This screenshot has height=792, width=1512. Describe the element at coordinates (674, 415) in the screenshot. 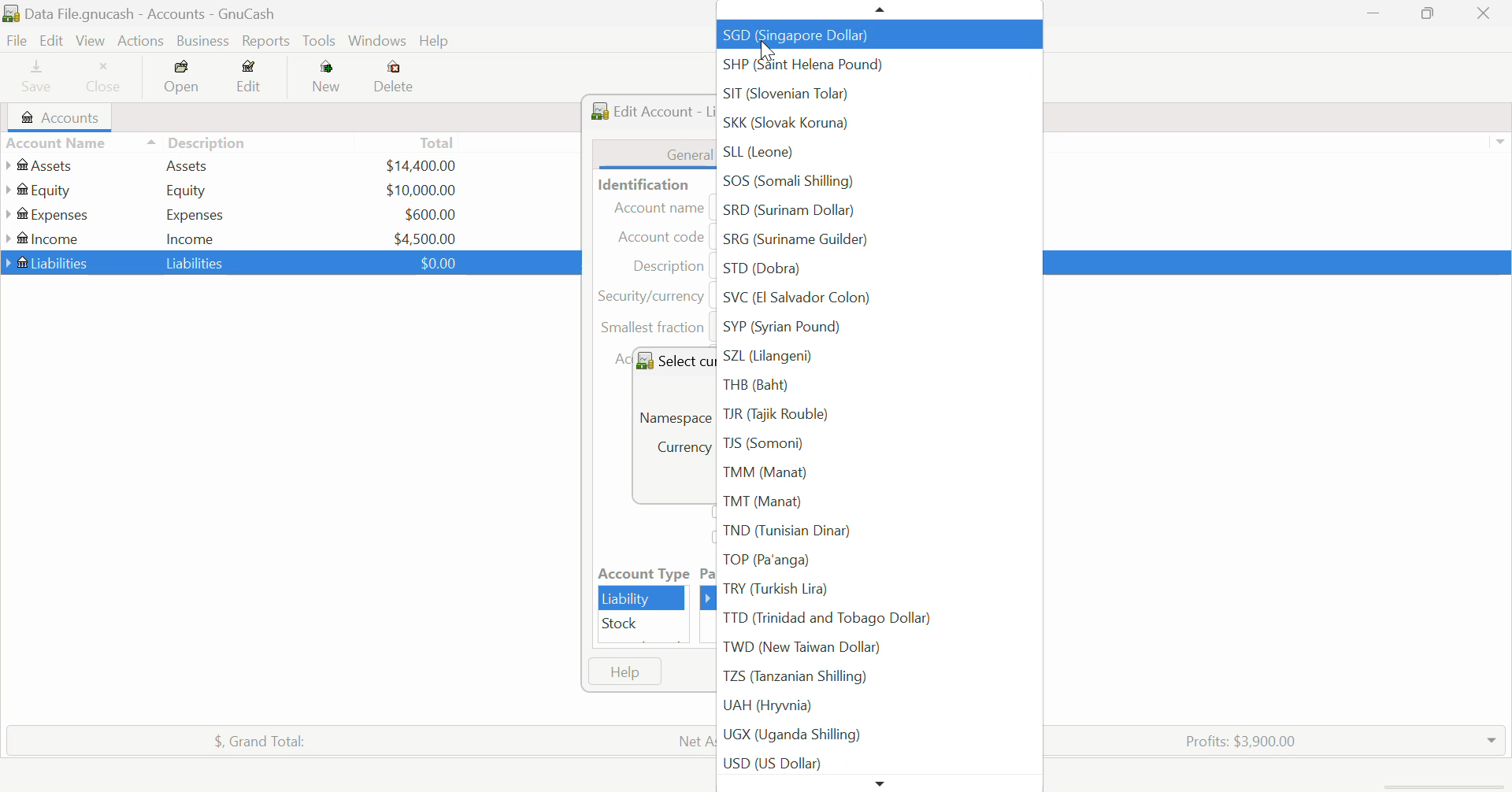

I see `Namespace` at that location.